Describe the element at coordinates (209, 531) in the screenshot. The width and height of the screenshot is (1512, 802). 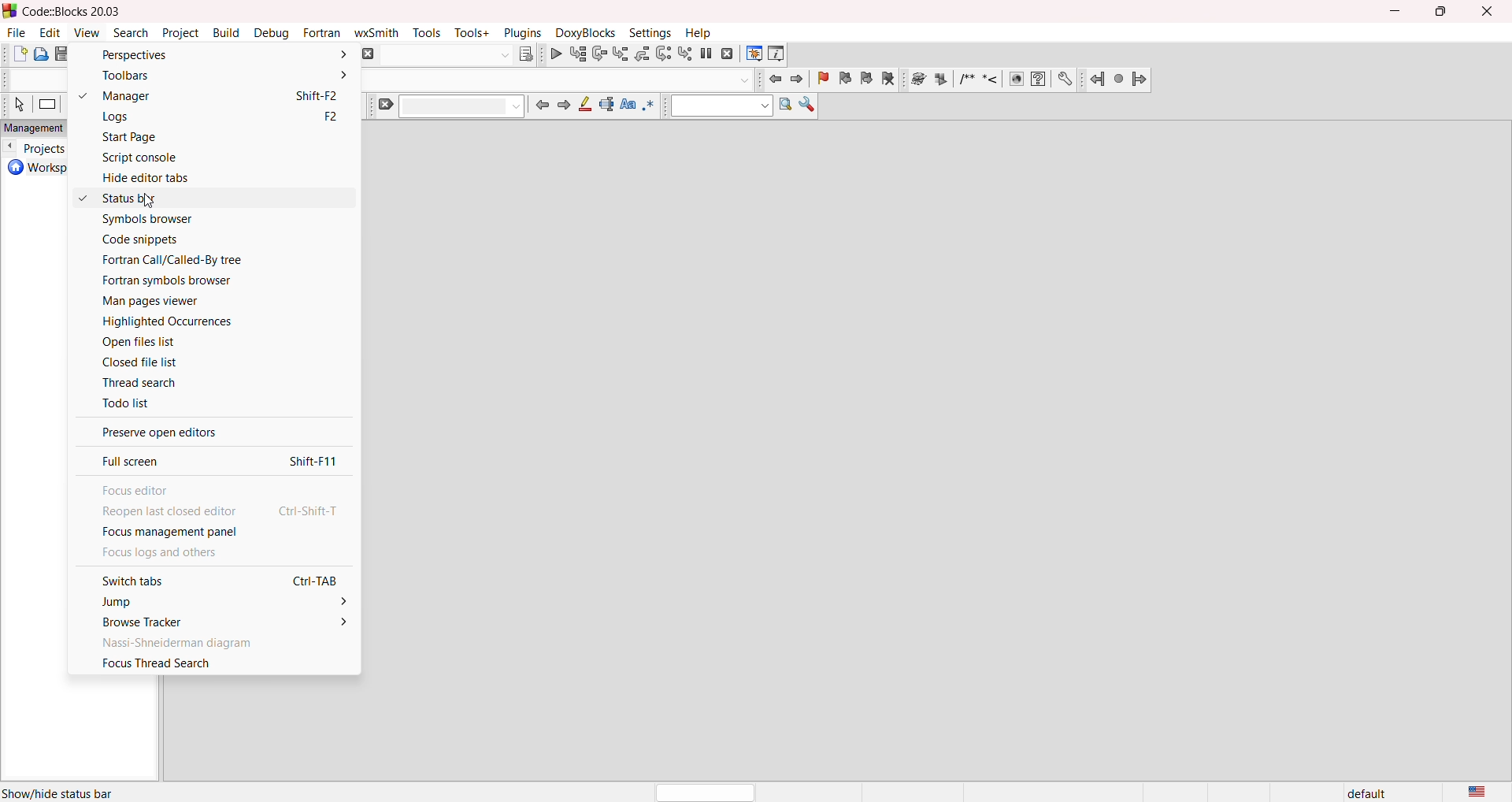
I see `focus management panel ` at that location.